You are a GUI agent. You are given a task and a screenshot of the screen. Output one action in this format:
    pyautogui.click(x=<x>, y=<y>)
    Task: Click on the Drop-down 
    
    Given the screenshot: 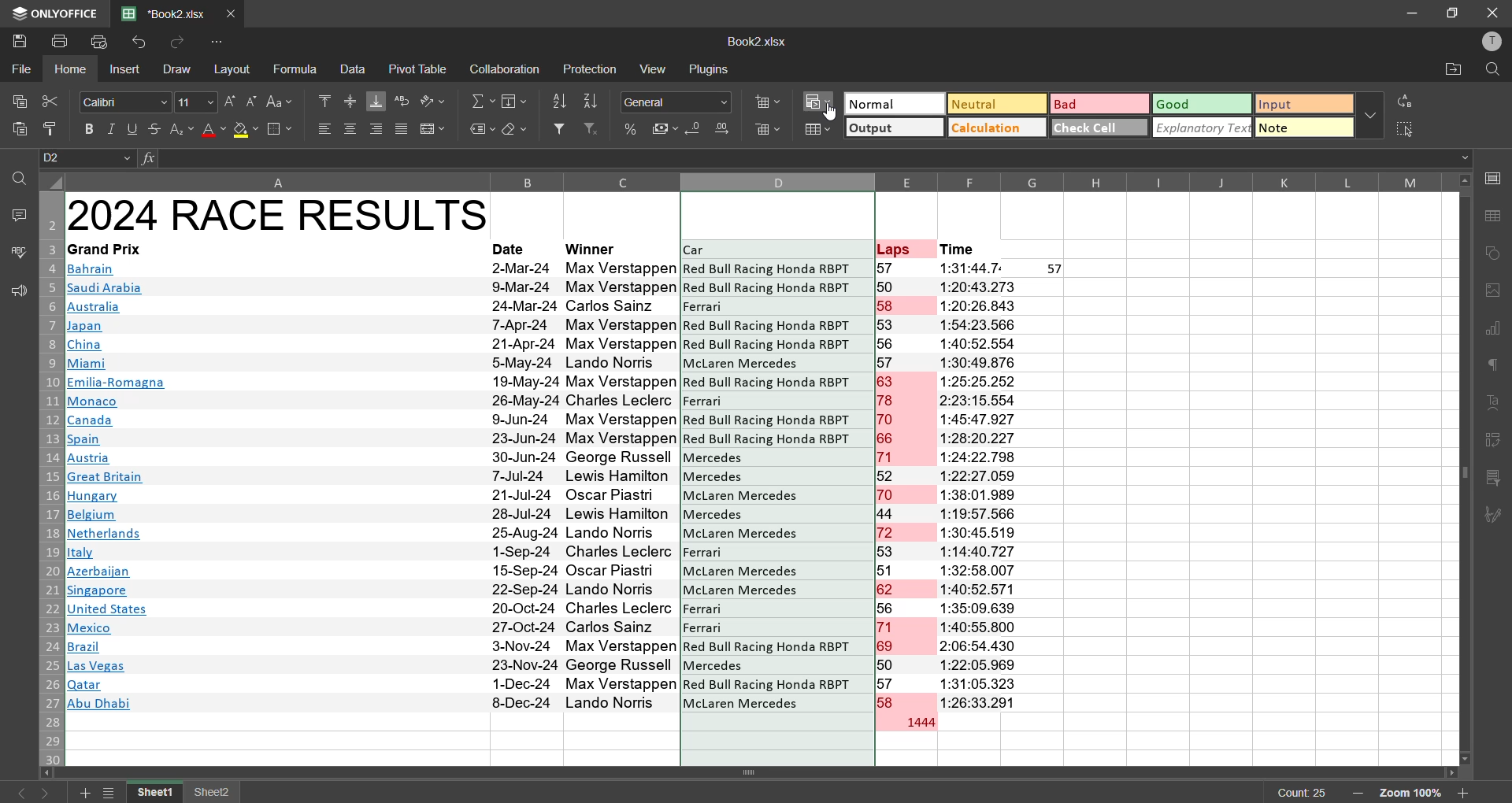 What is the action you would take?
    pyautogui.click(x=1467, y=158)
    